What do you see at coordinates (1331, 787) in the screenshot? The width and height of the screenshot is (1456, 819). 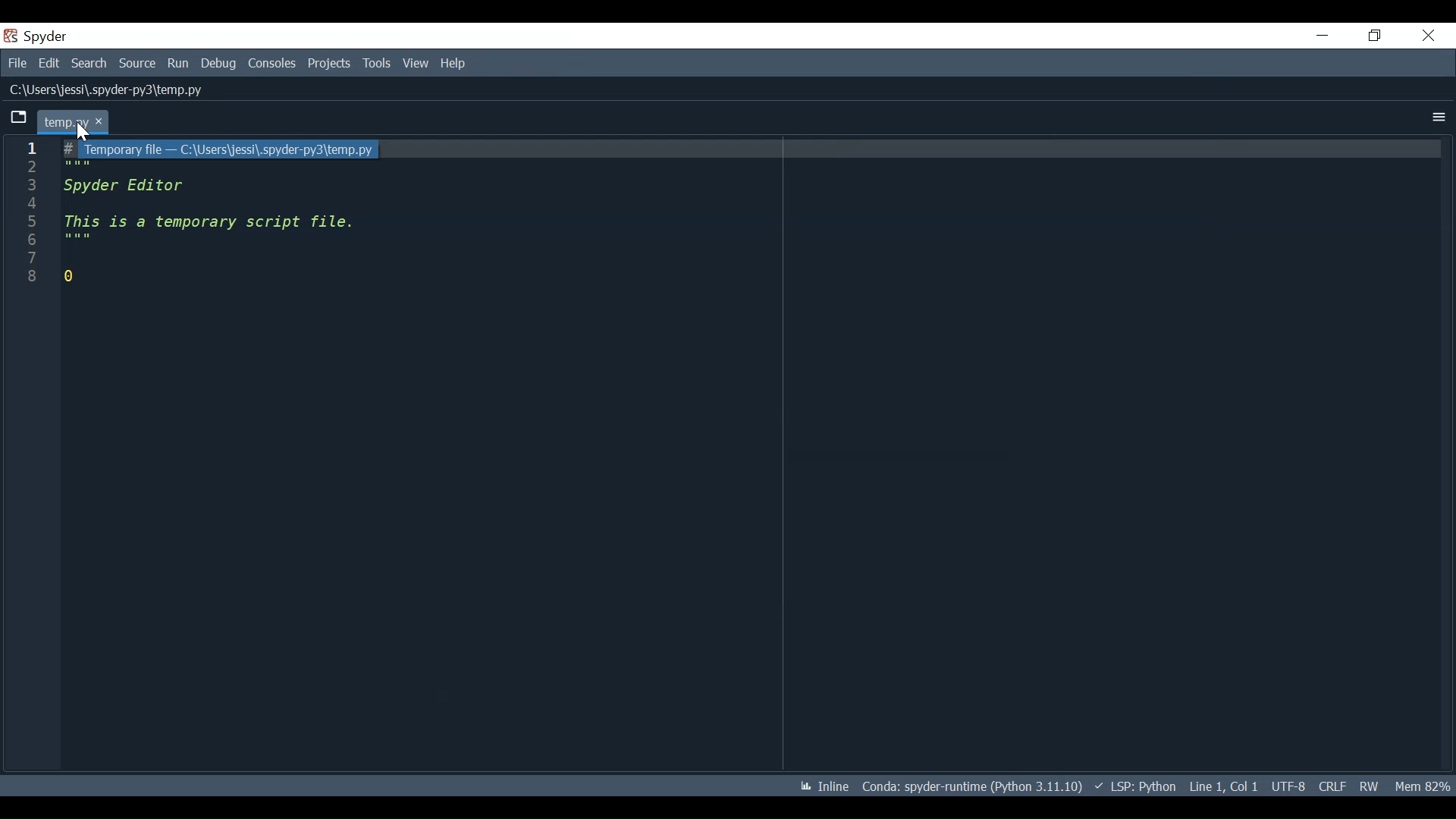 I see `File EQL Status` at bounding box center [1331, 787].